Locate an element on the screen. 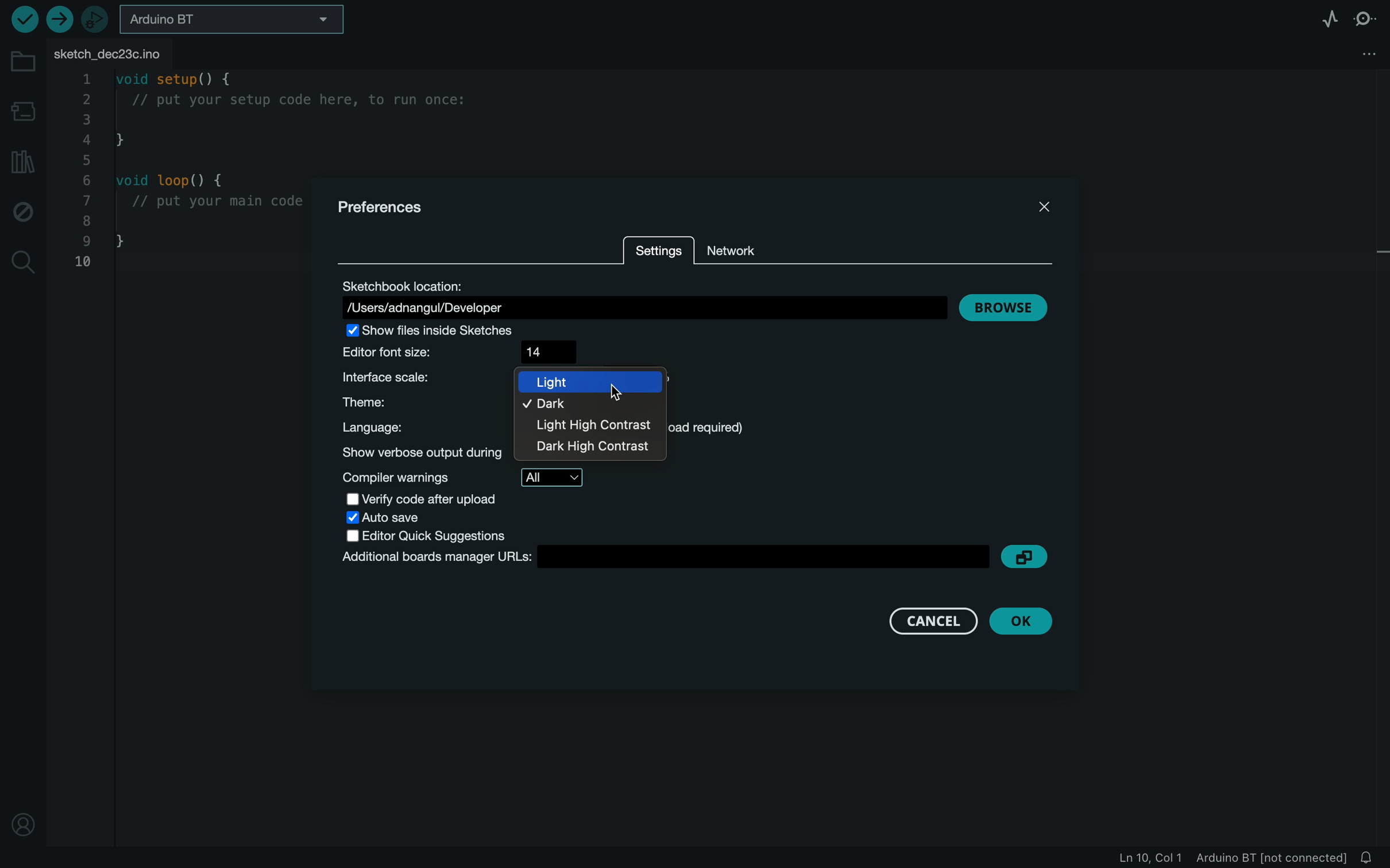 The width and height of the screenshot is (1390, 868). close is located at coordinates (1045, 207).